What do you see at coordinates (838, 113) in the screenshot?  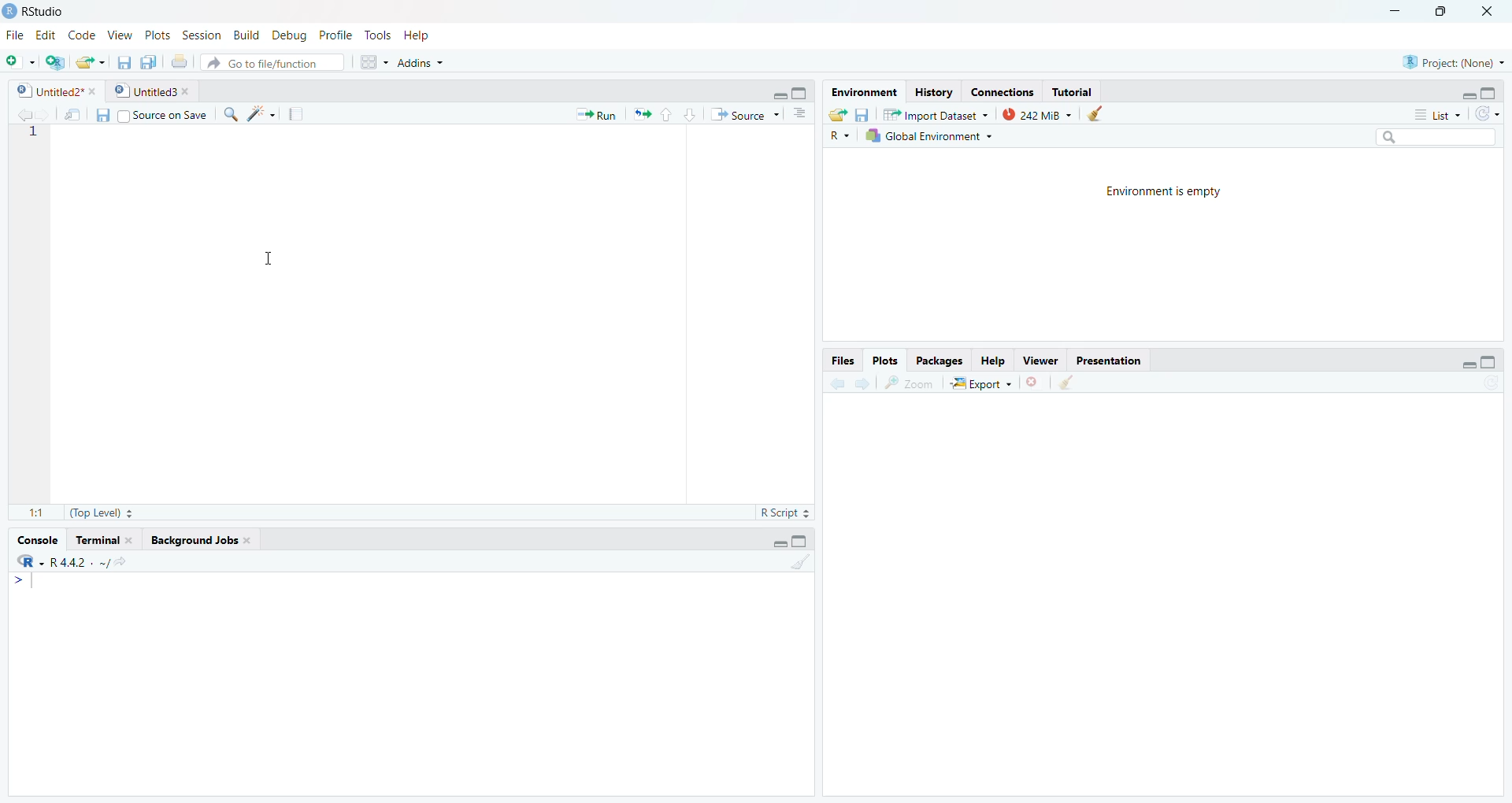 I see `Load workspace` at bounding box center [838, 113].